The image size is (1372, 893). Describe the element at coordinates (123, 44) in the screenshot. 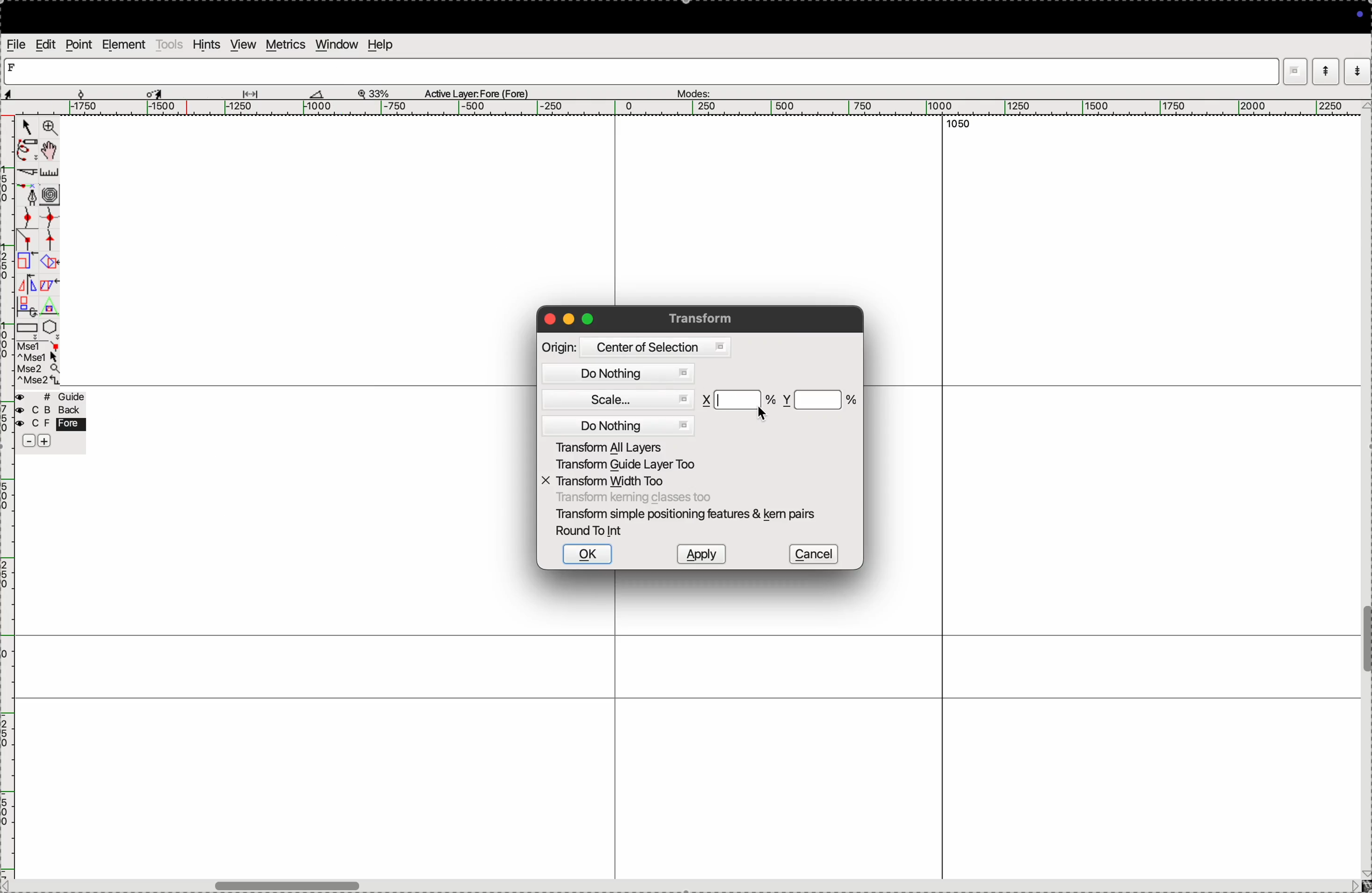

I see `element` at that location.